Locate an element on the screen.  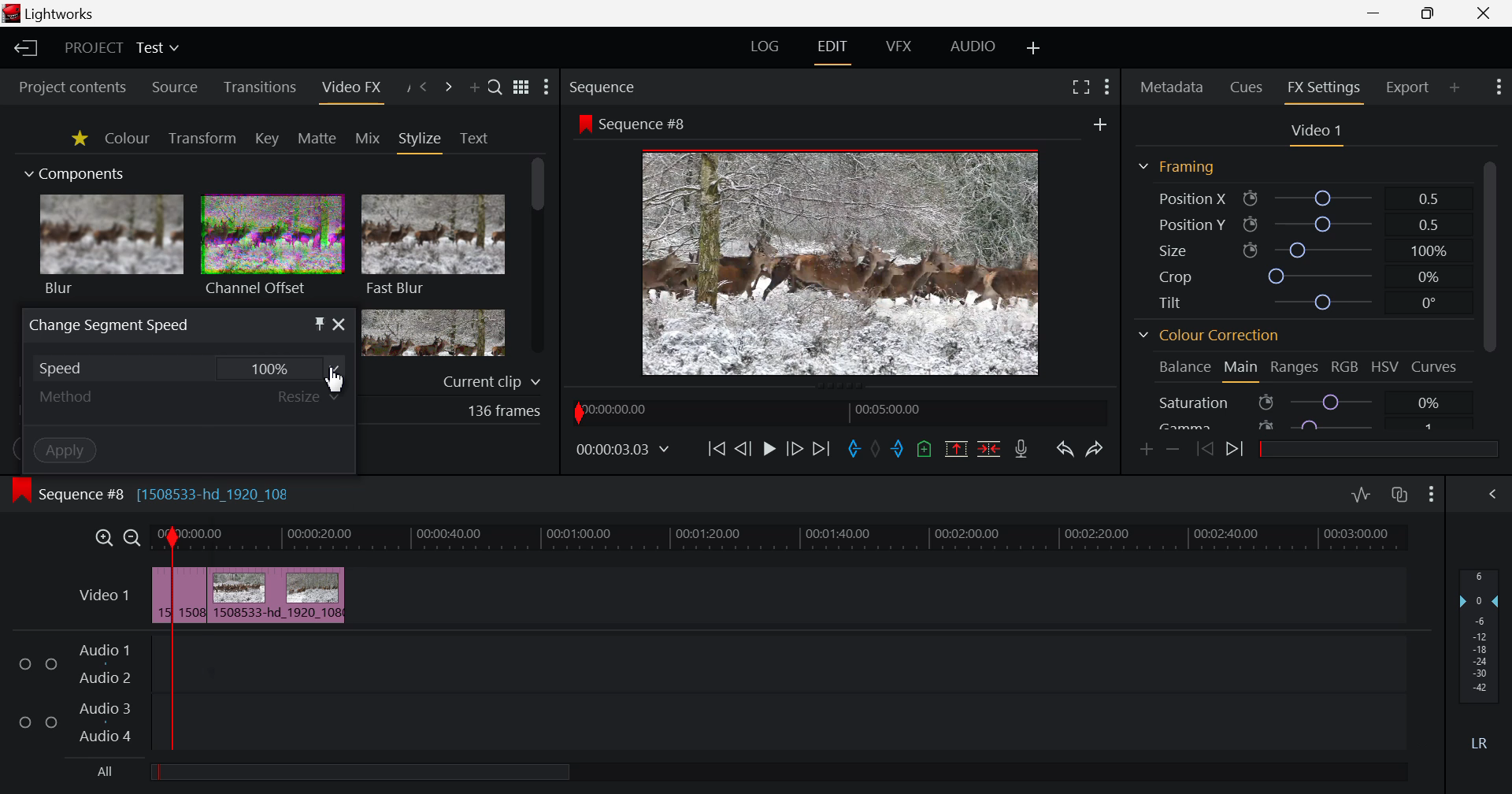
FX Settings is located at coordinates (1323, 90).